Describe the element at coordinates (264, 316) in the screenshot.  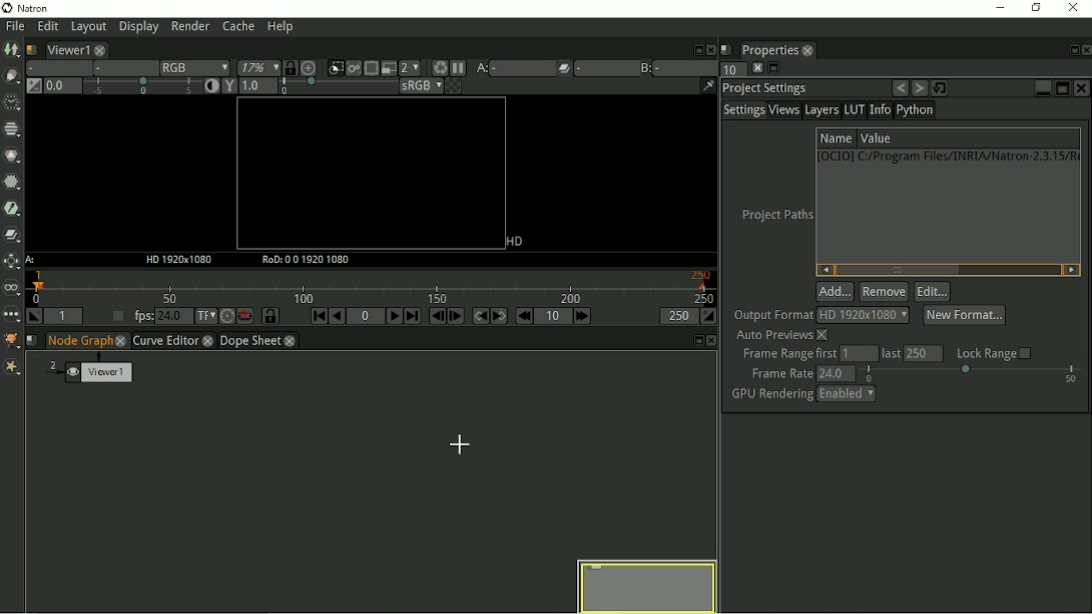
I see `Synchronize` at that location.